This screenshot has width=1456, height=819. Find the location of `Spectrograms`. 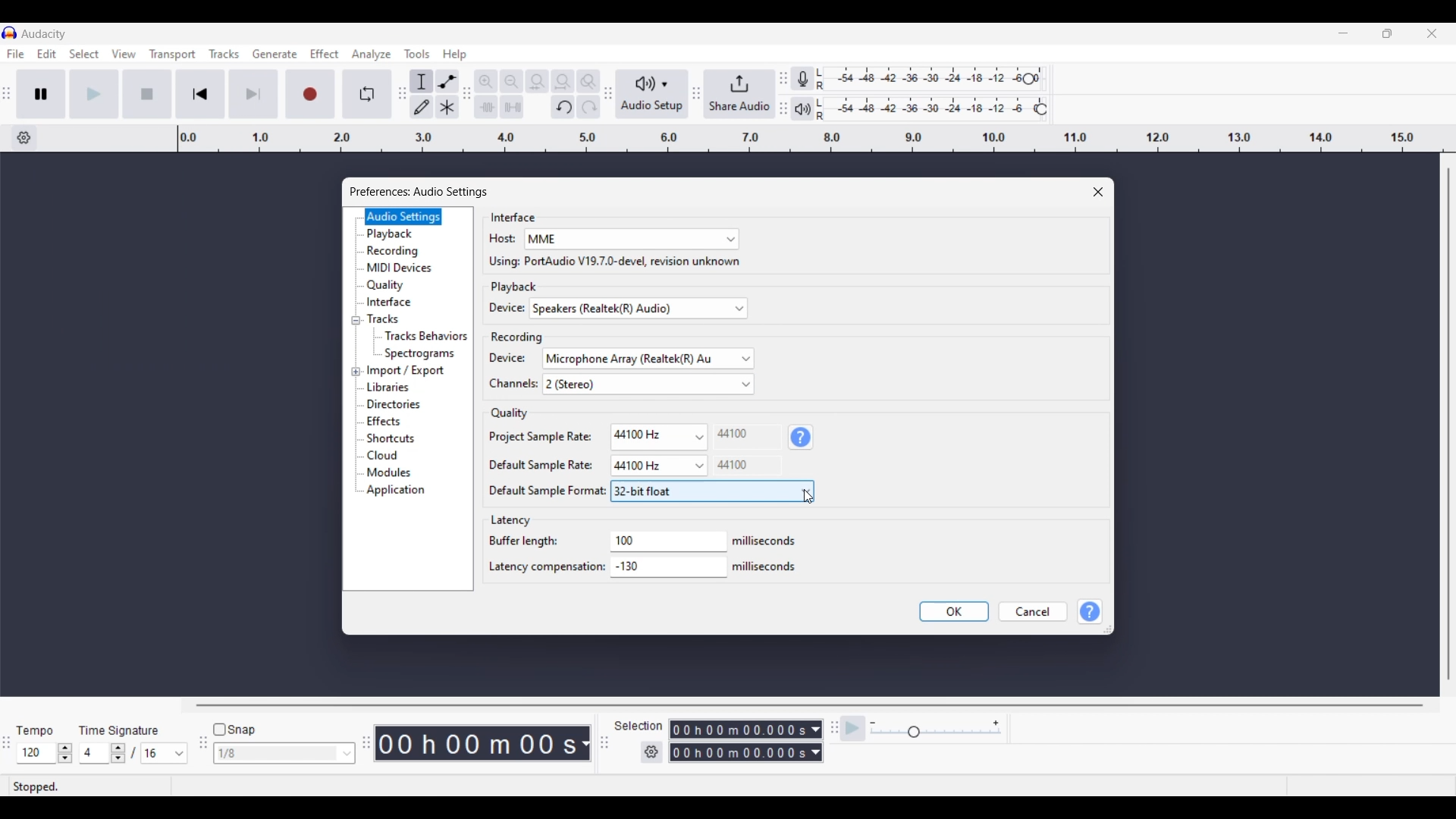

Spectrograms is located at coordinates (427, 353).